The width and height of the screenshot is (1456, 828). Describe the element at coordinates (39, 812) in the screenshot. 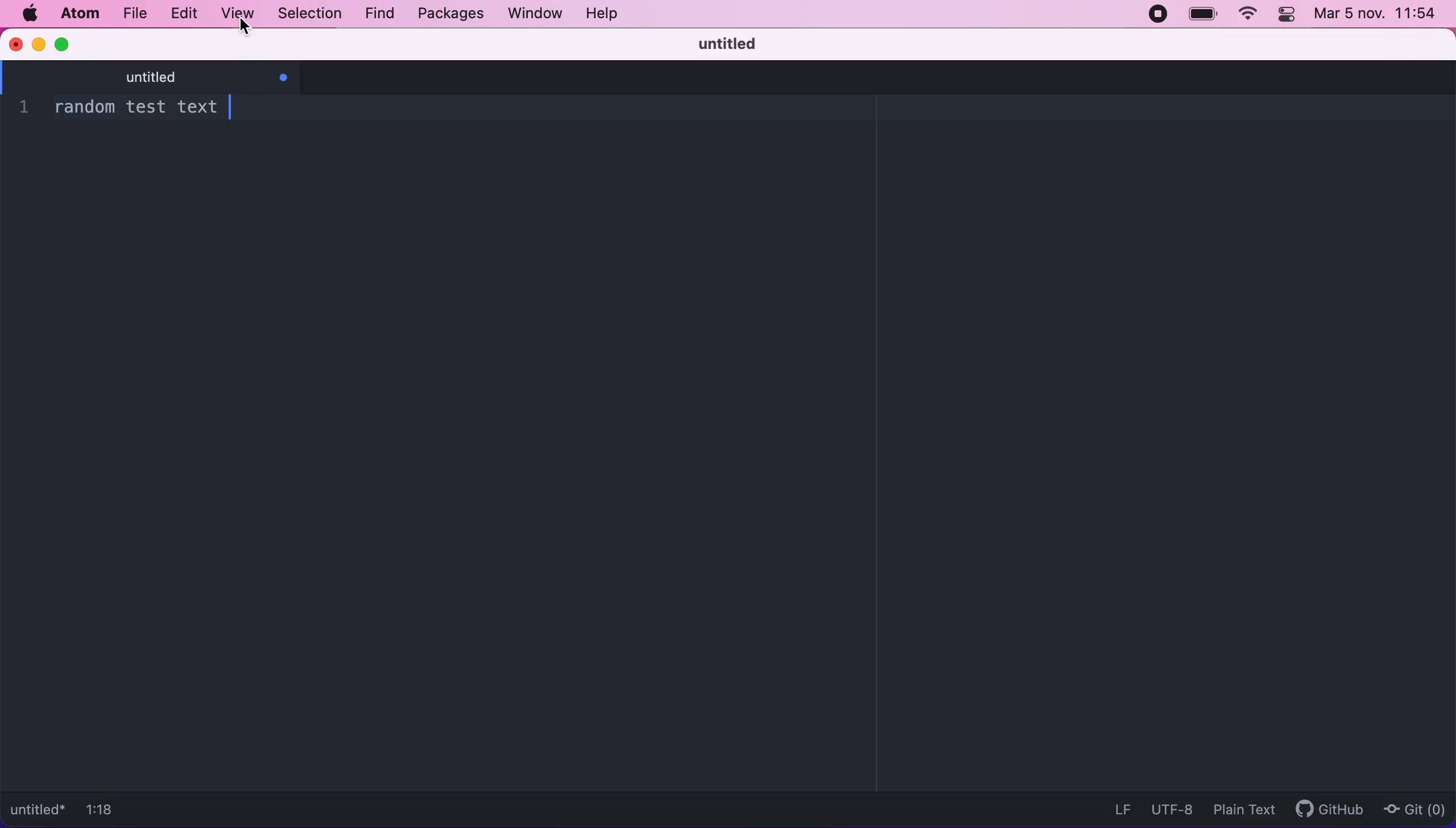

I see `file title` at that location.